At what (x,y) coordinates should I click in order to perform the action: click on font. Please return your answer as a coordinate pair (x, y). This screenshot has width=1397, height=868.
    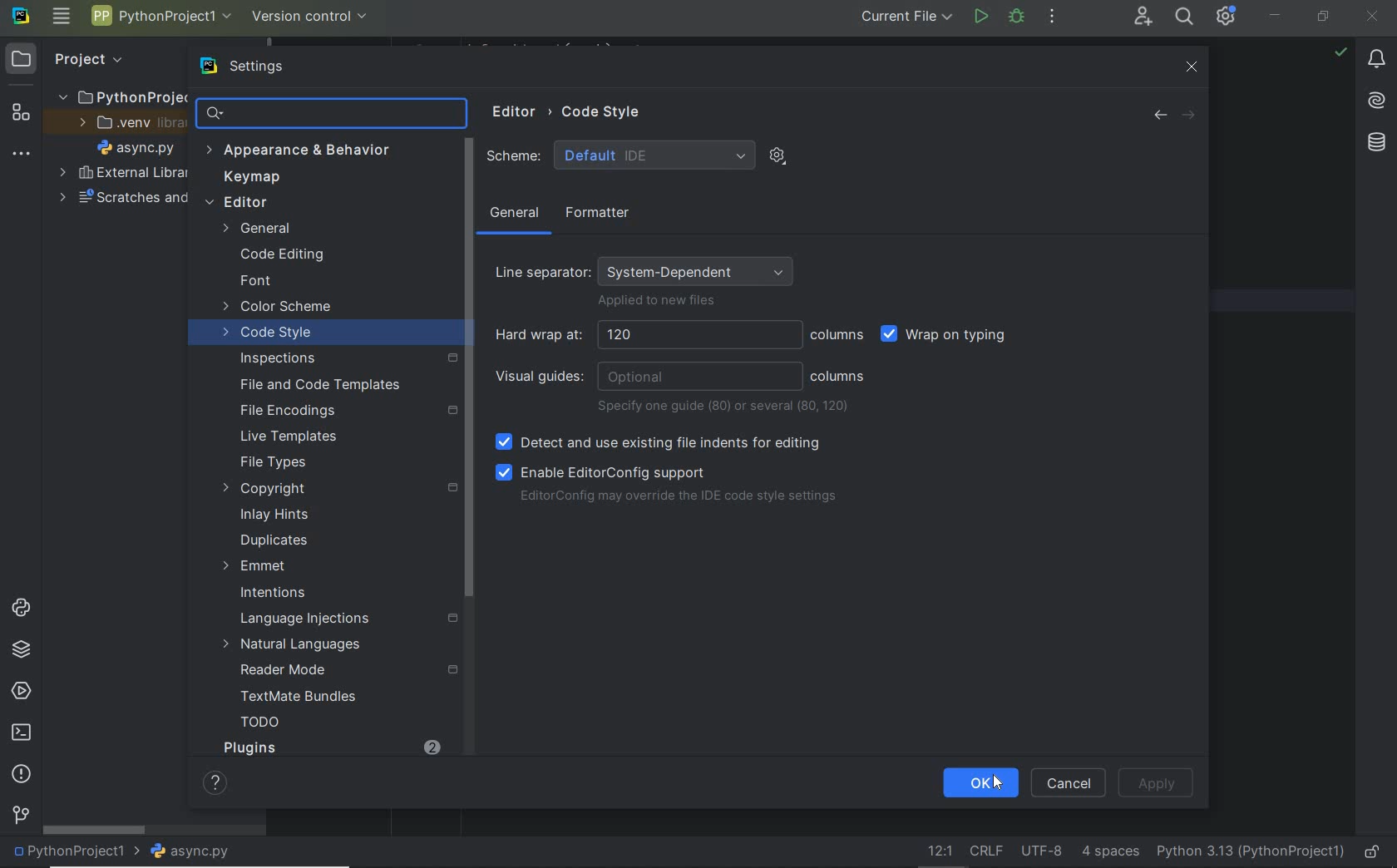
    Looking at the image, I should click on (255, 282).